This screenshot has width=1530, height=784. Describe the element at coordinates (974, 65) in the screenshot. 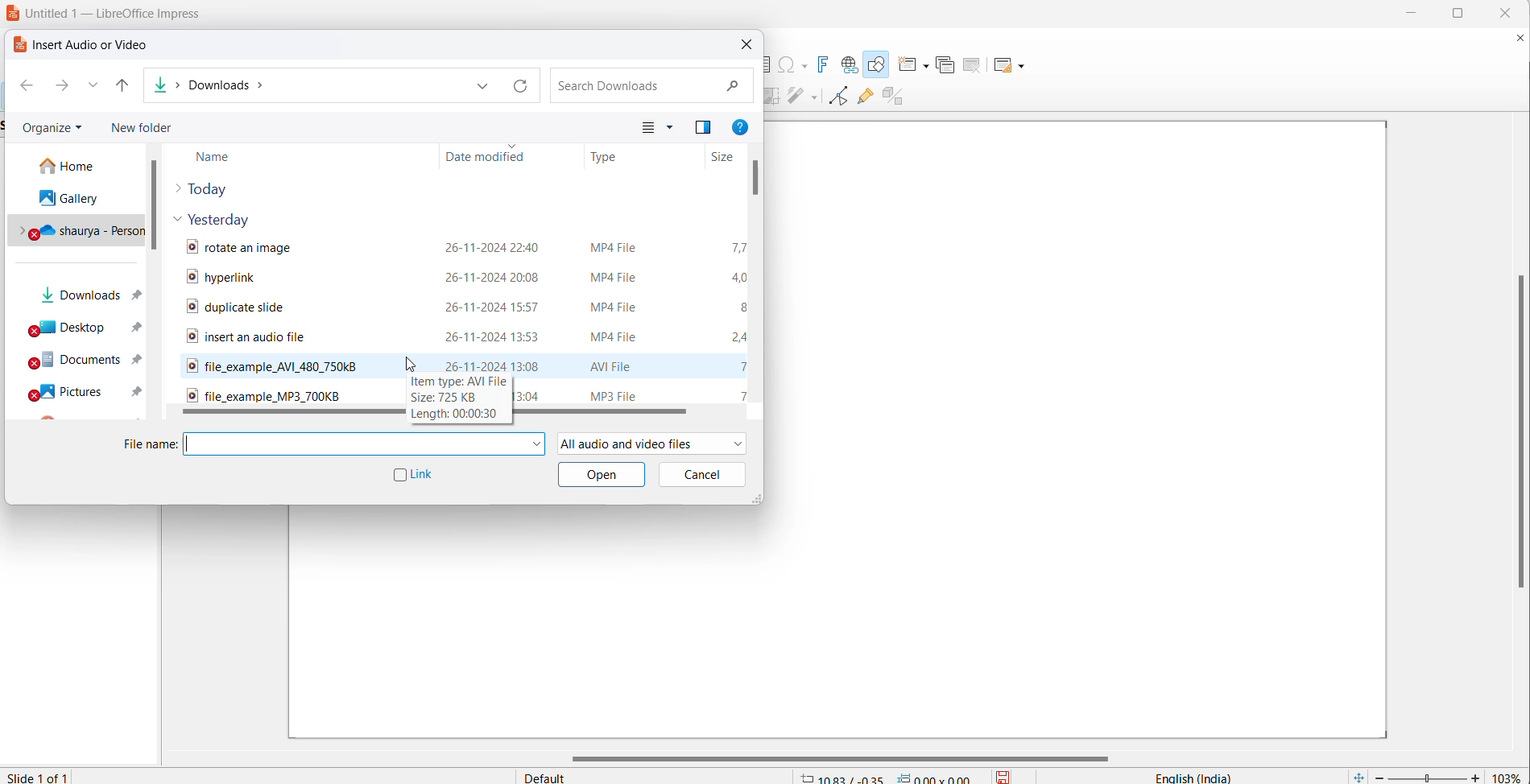

I see `delete slide` at that location.